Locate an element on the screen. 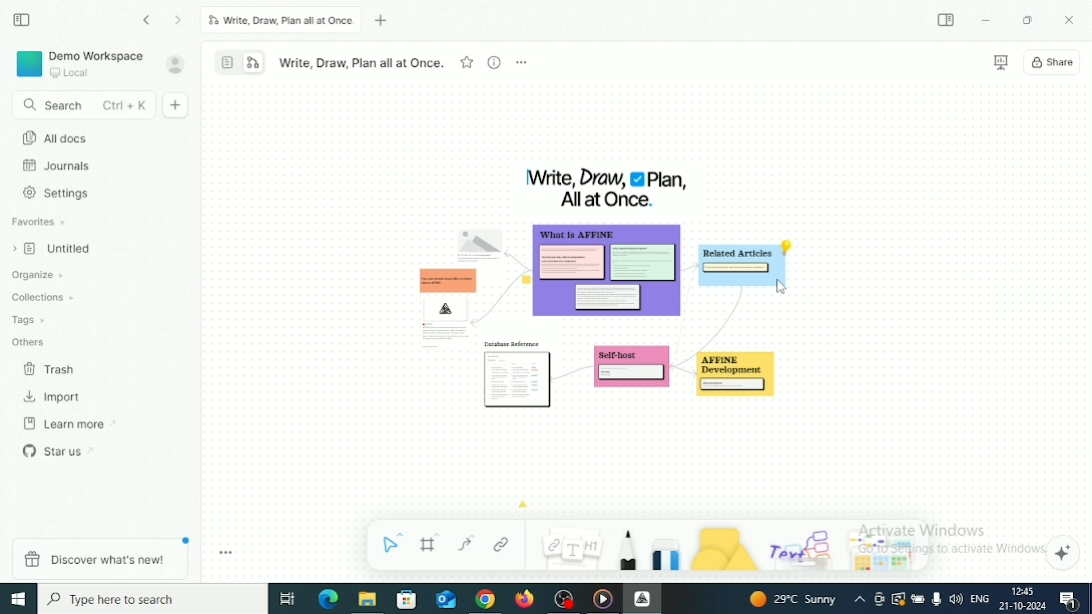  Discover what's new! is located at coordinates (98, 558).